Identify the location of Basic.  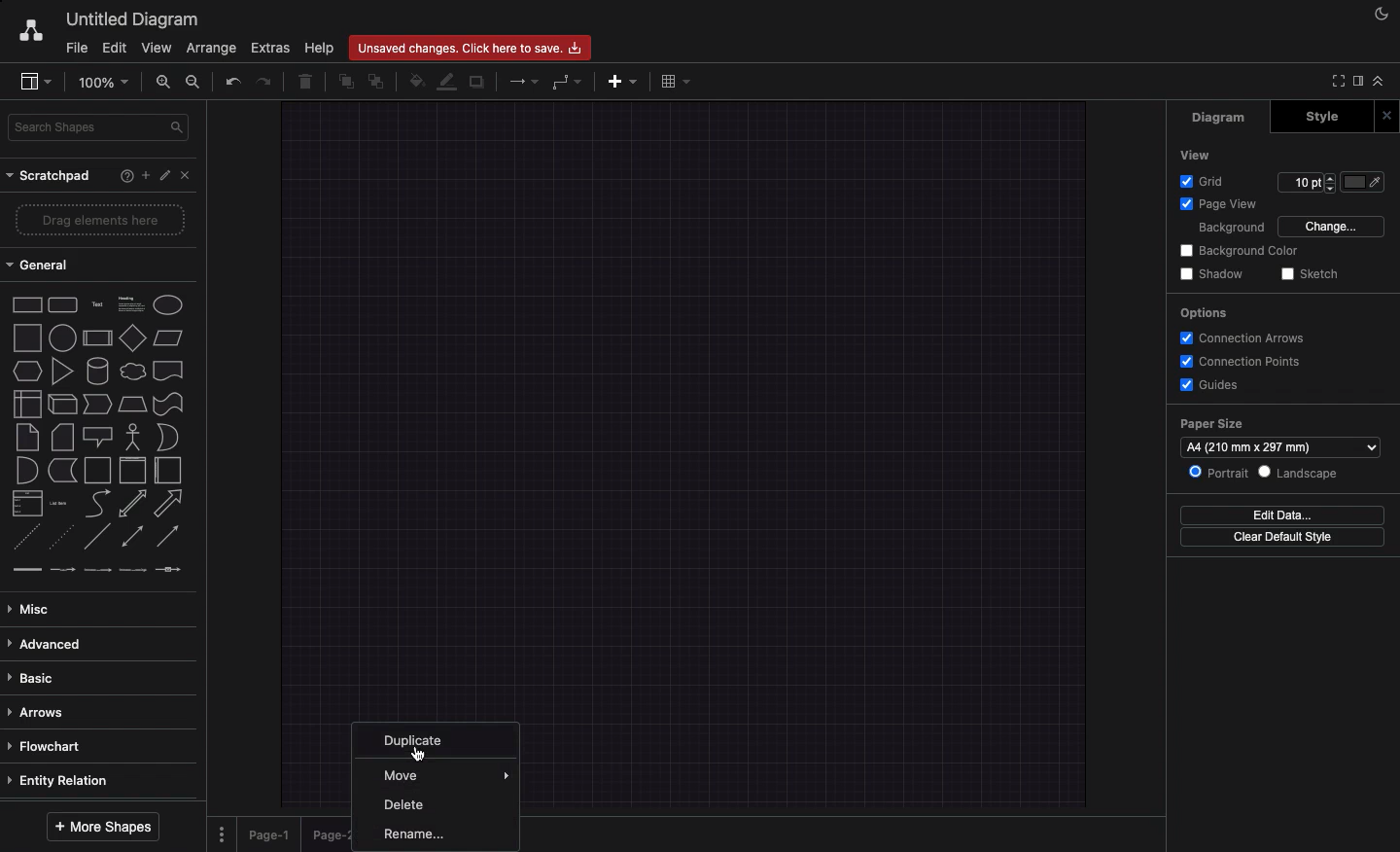
(43, 679).